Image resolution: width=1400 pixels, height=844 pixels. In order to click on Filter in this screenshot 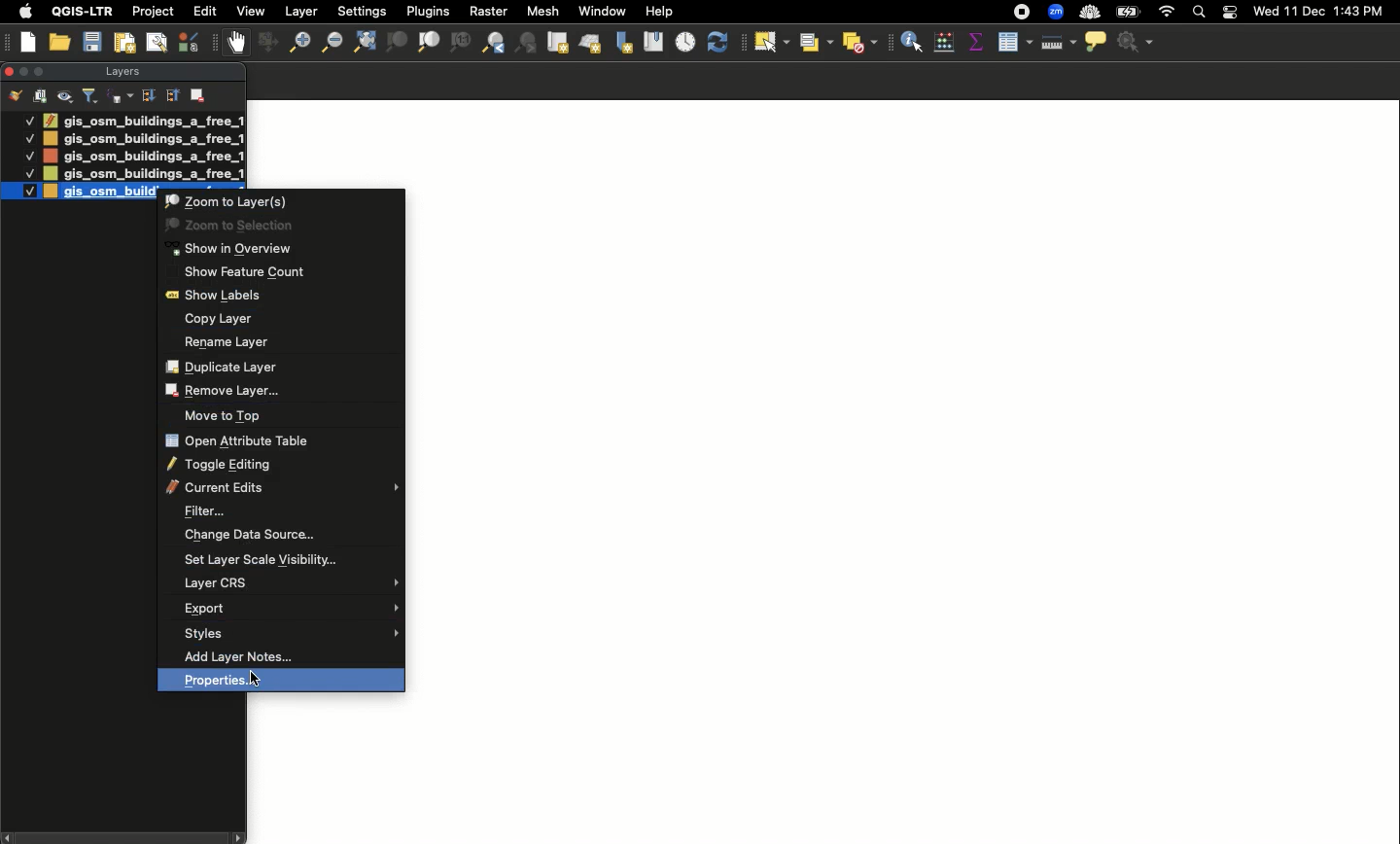, I will do `click(289, 511)`.